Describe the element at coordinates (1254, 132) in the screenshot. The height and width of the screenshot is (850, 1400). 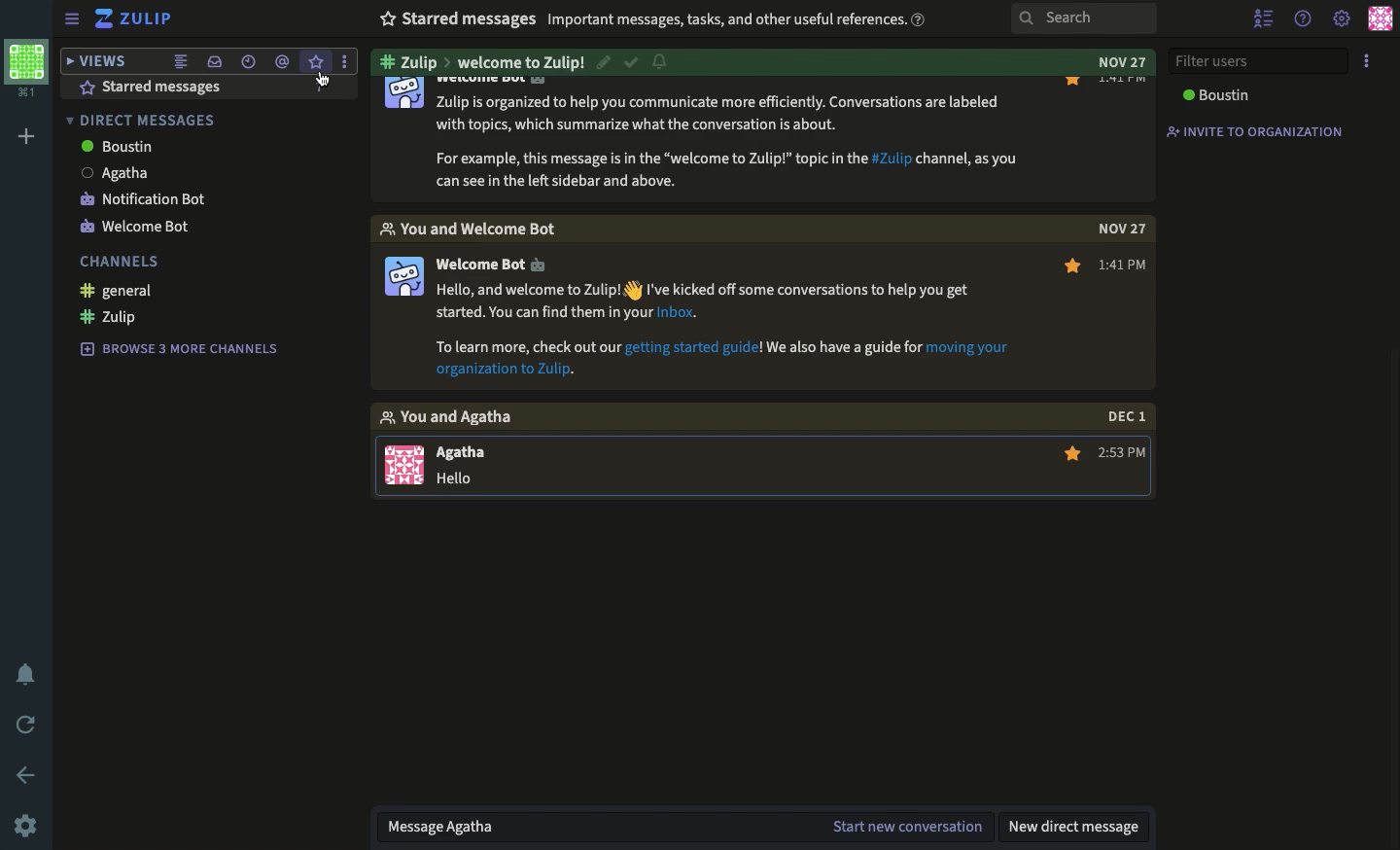
I see `invite to organization` at that location.